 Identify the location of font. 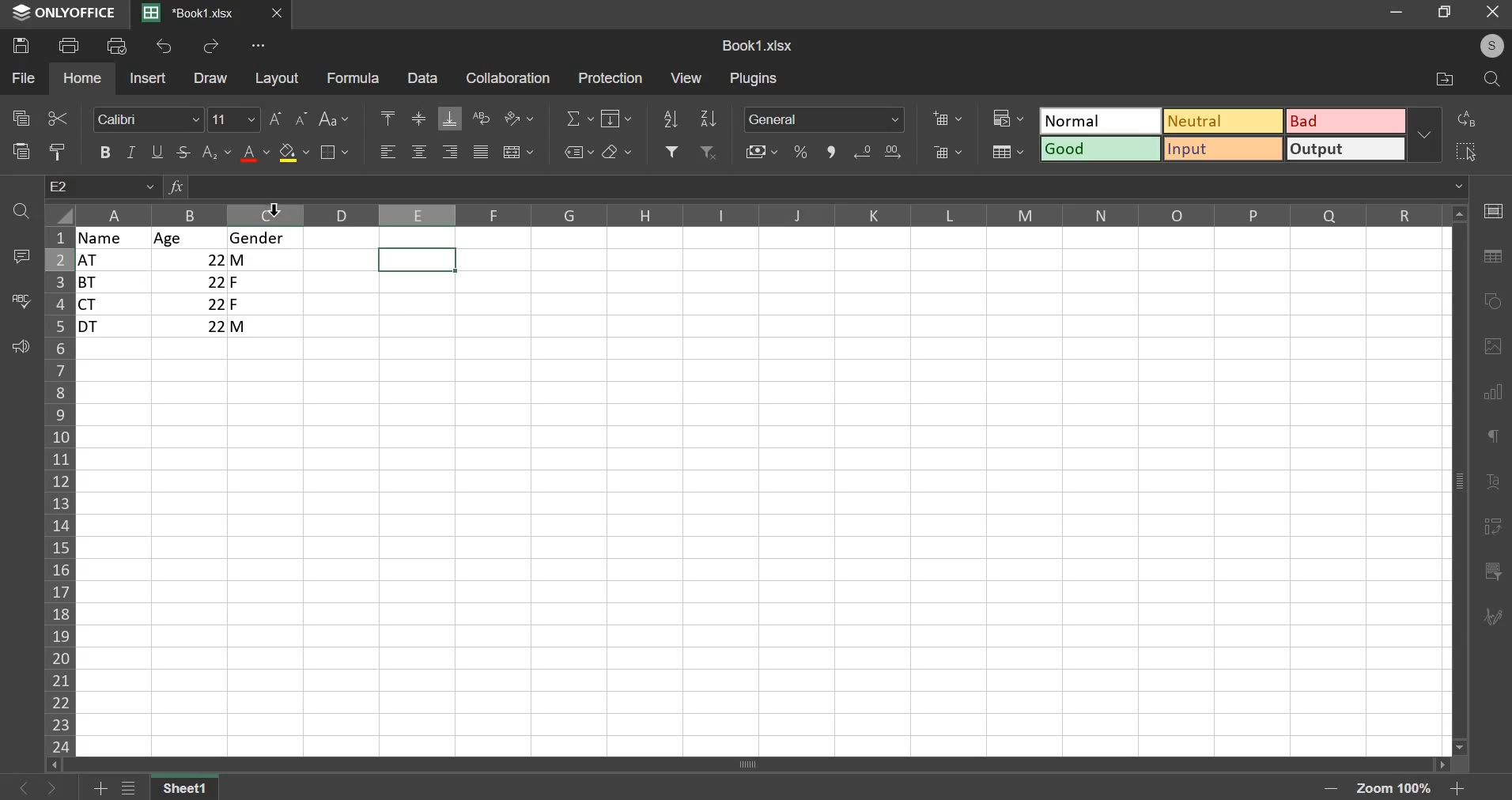
(149, 119).